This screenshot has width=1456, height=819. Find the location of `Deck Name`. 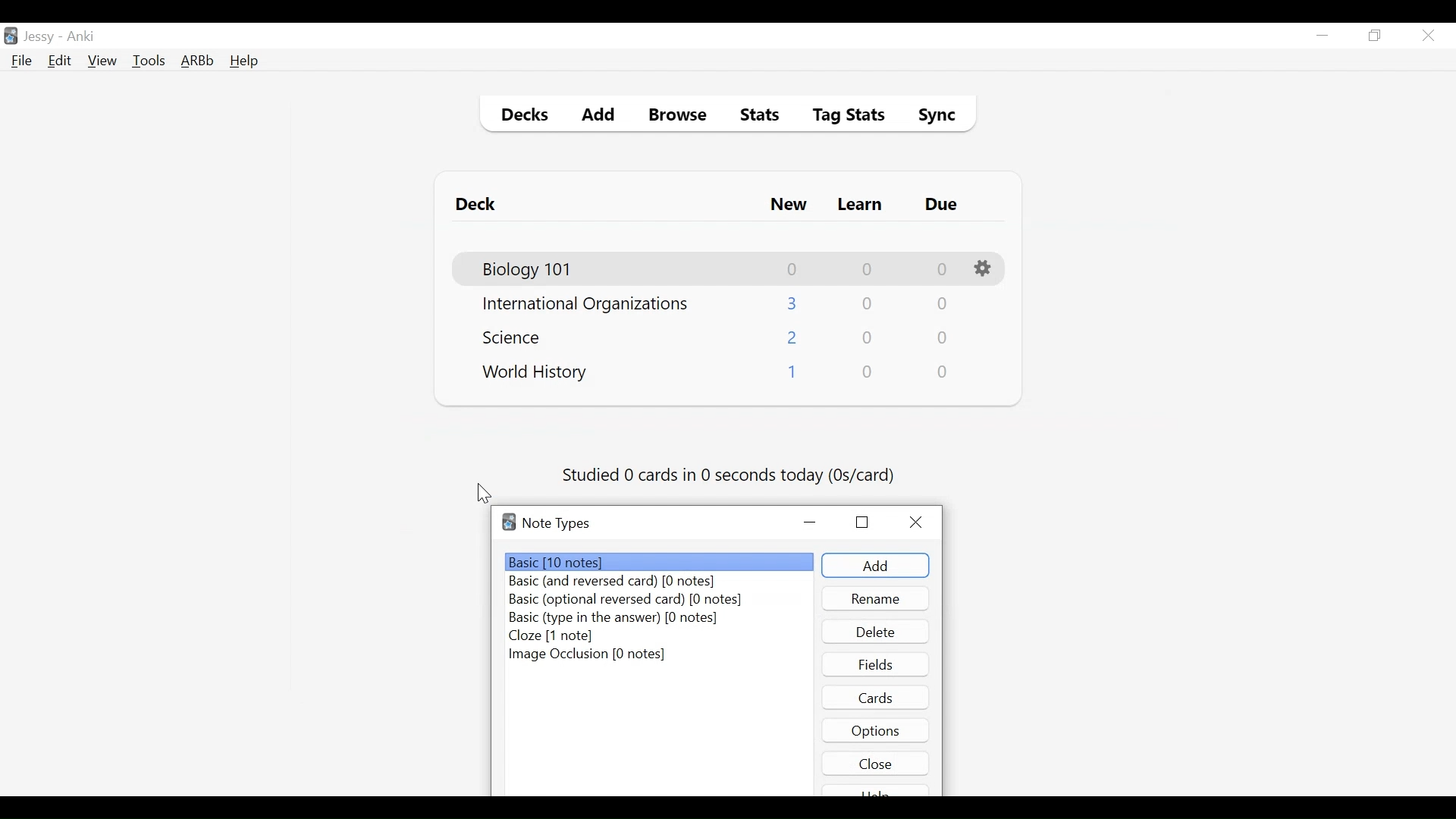

Deck Name is located at coordinates (535, 373).